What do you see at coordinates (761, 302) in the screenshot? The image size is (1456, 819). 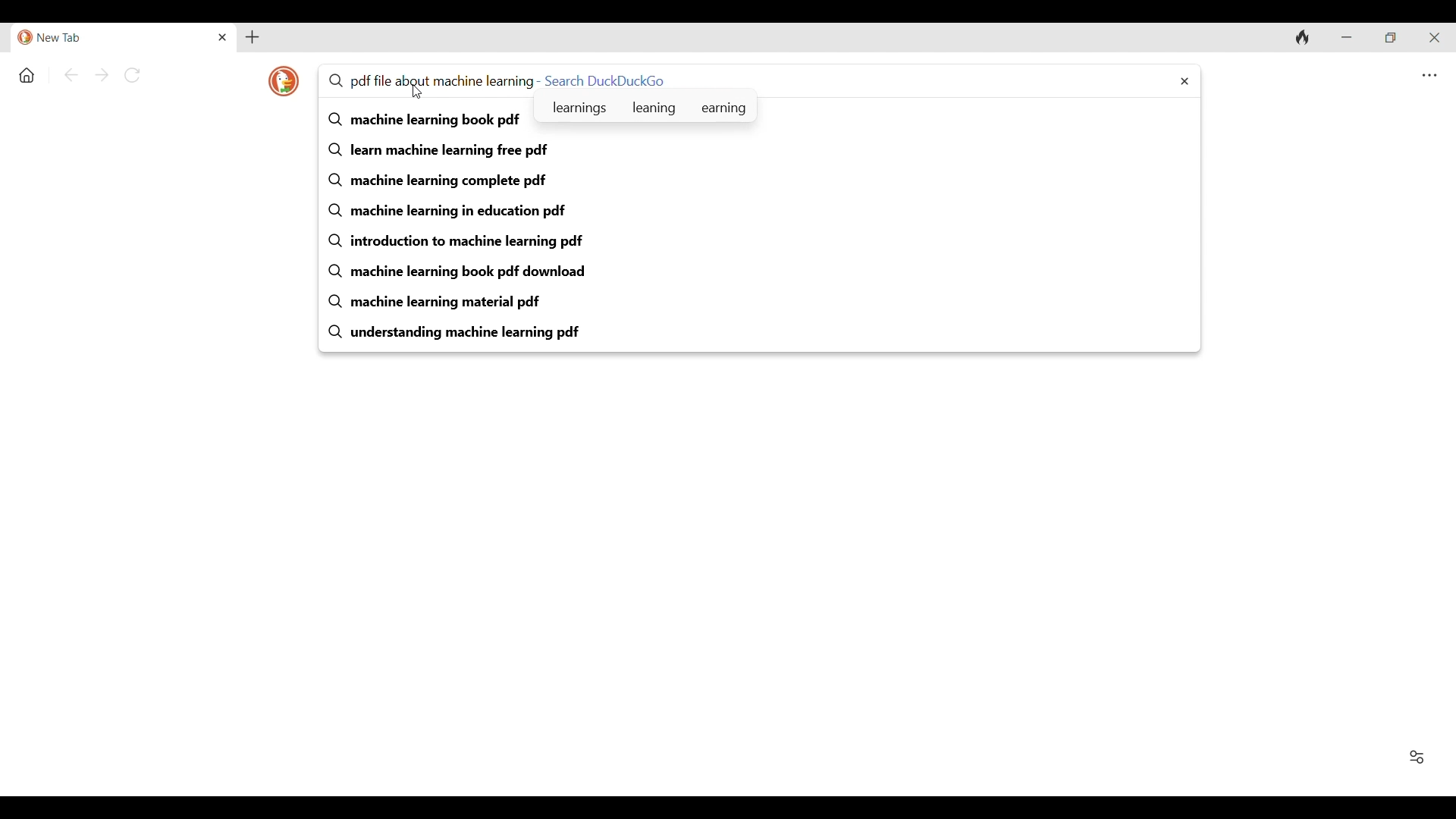 I see `machine learning material pdf` at bounding box center [761, 302].